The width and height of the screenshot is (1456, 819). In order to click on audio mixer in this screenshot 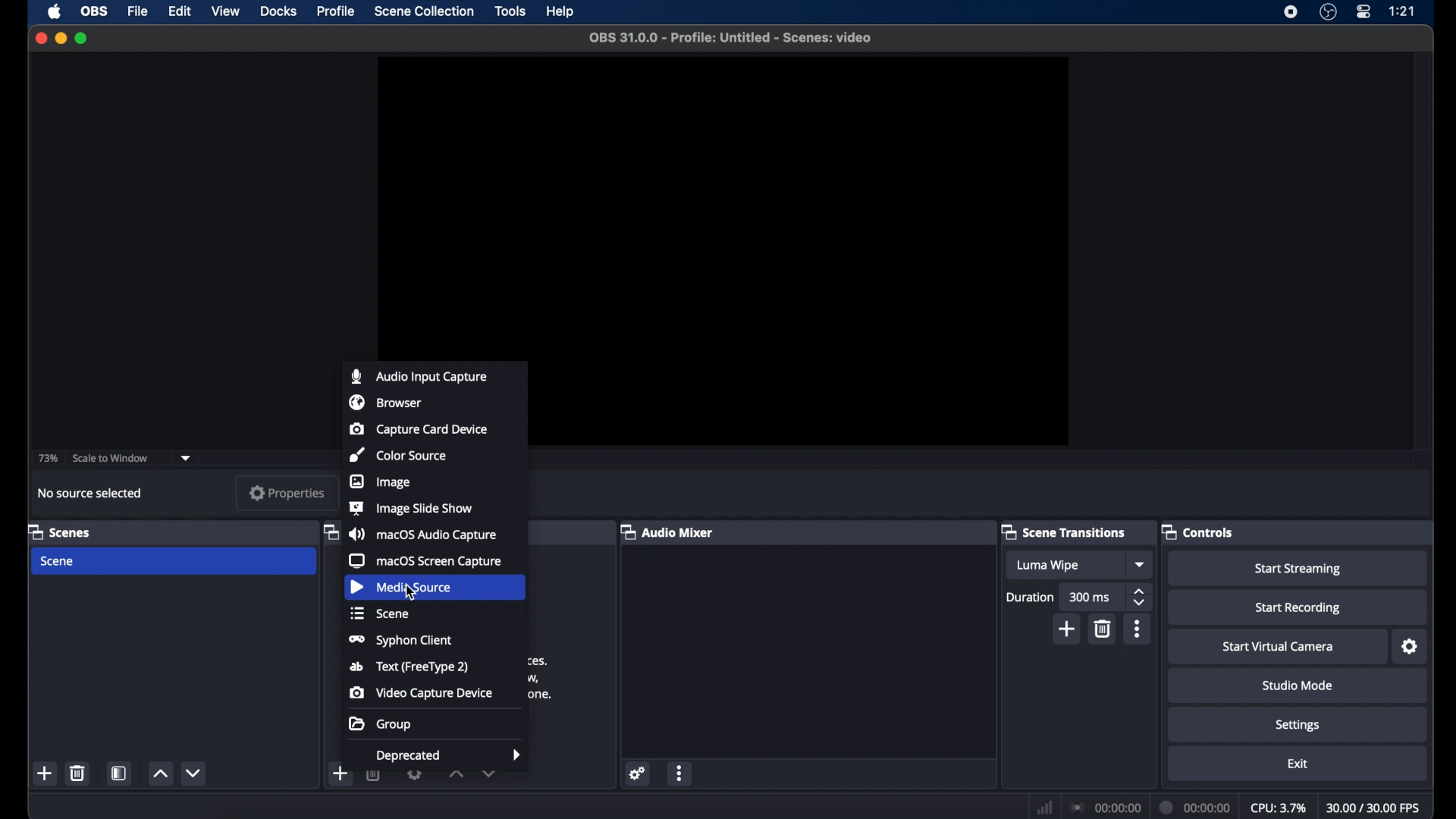, I will do `click(668, 532)`.